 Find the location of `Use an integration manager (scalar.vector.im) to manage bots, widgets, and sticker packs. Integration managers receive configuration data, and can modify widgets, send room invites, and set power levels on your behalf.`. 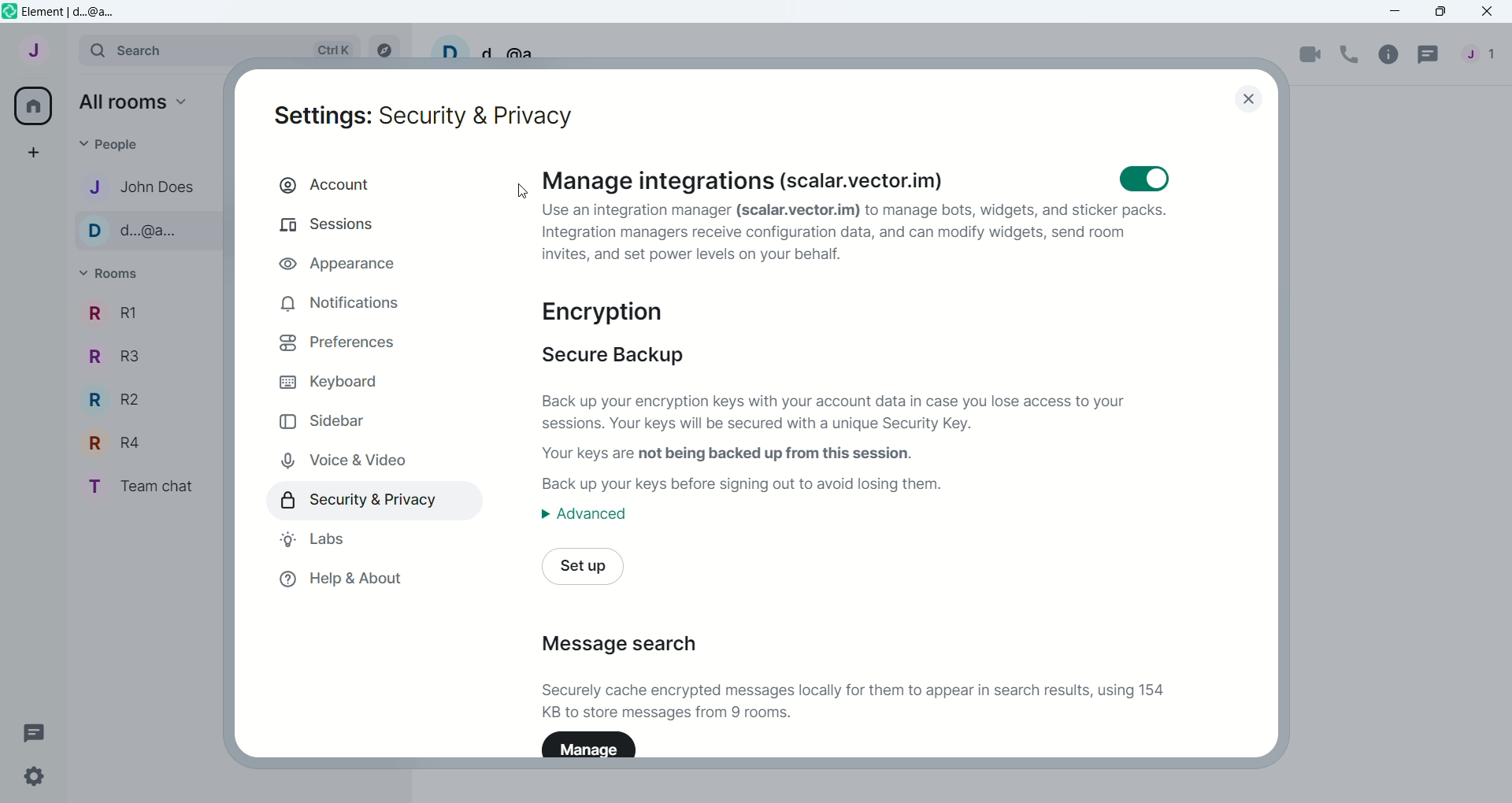

Use an integration manager (scalar.vector.im) to manage bots, widgets, and sticker packs. Integration managers receive configuration data, and can modify widgets, send room invites, and set power levels on your behalf. is located at coordinates (855, 232).